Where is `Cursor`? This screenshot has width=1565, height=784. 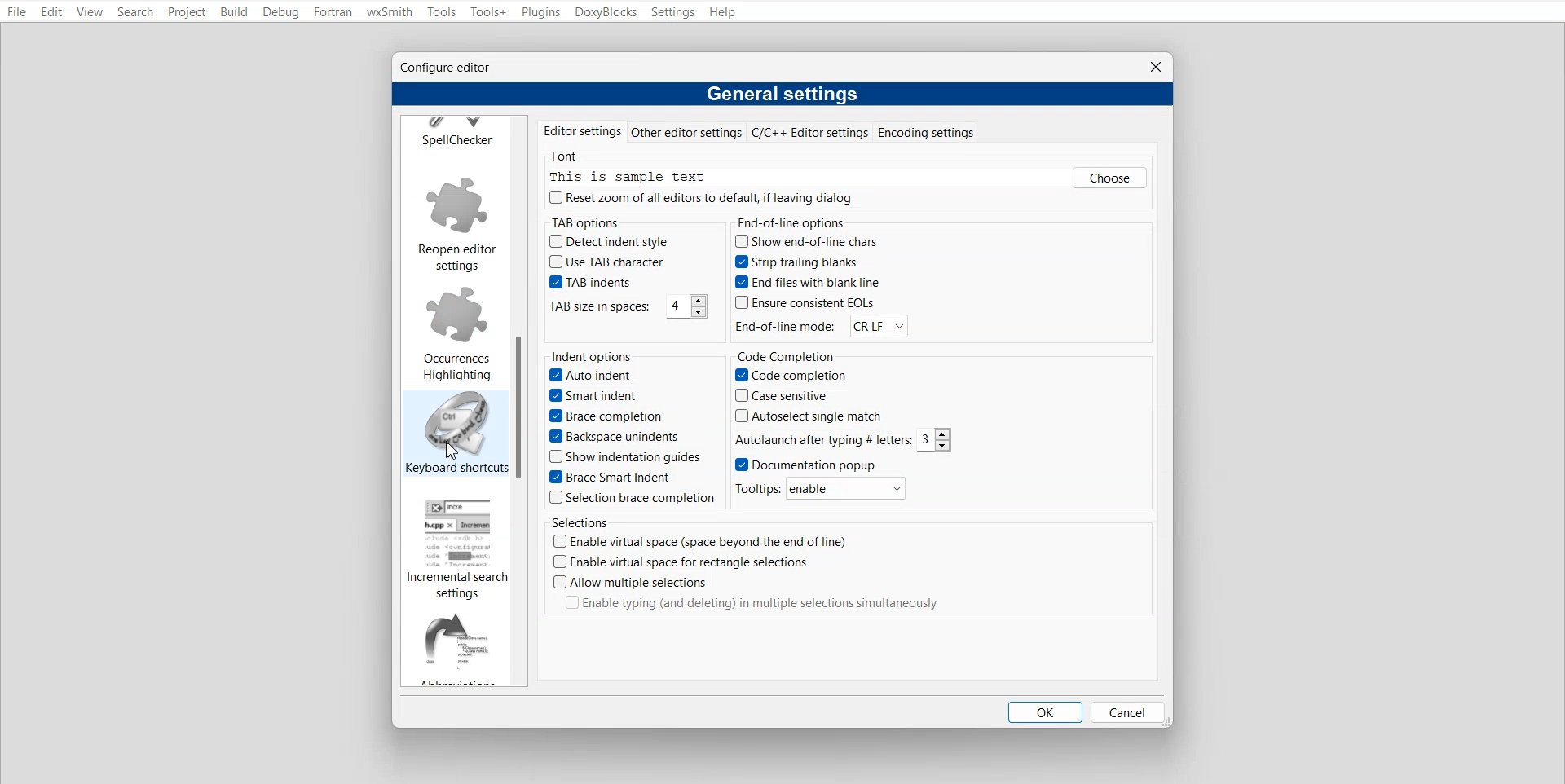
Cursor is located at coordinates (453, 449).